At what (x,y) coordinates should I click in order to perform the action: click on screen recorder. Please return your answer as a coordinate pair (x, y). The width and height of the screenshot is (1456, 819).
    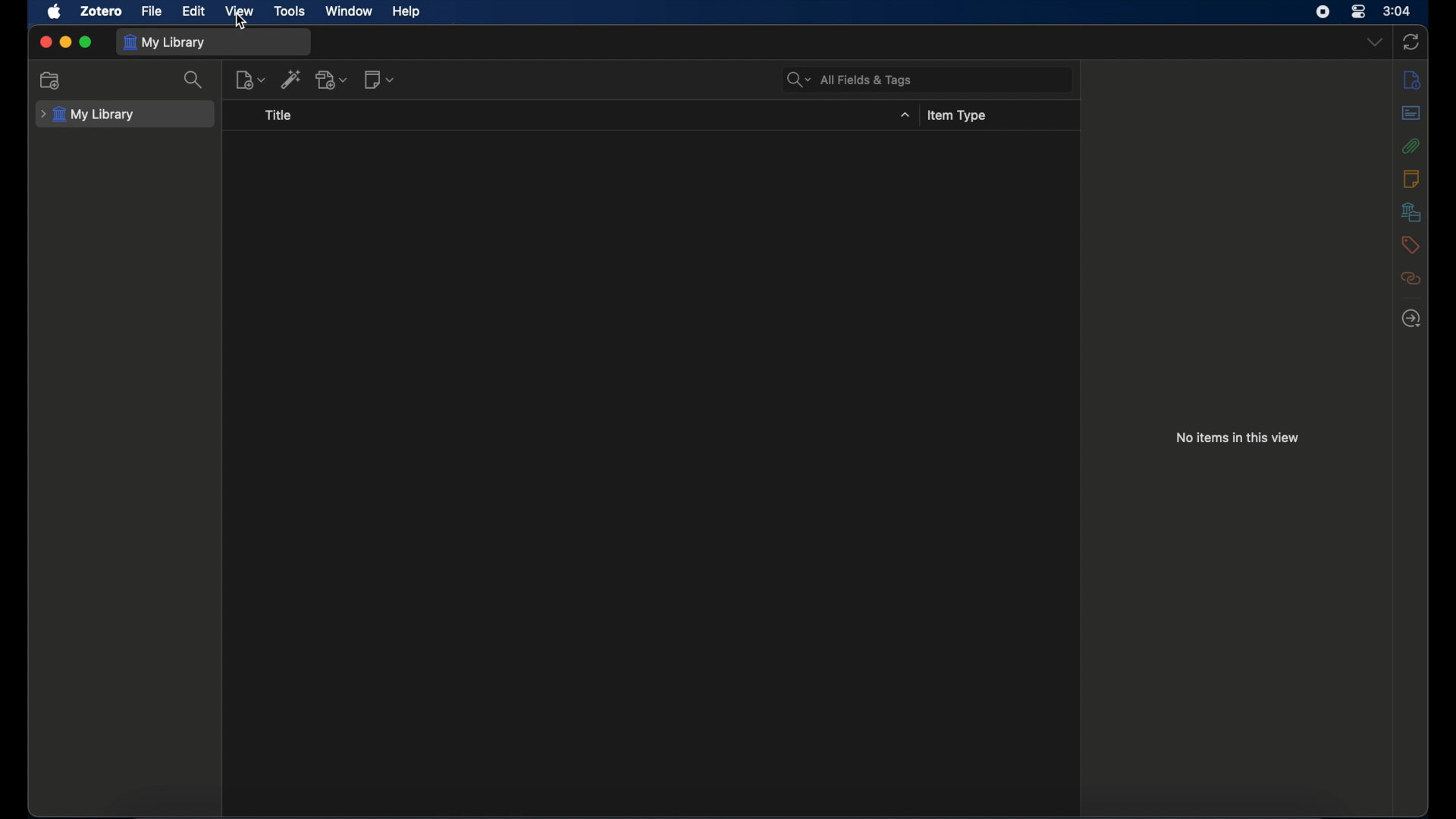
    Looking at the image, I should click on (1323, 12).